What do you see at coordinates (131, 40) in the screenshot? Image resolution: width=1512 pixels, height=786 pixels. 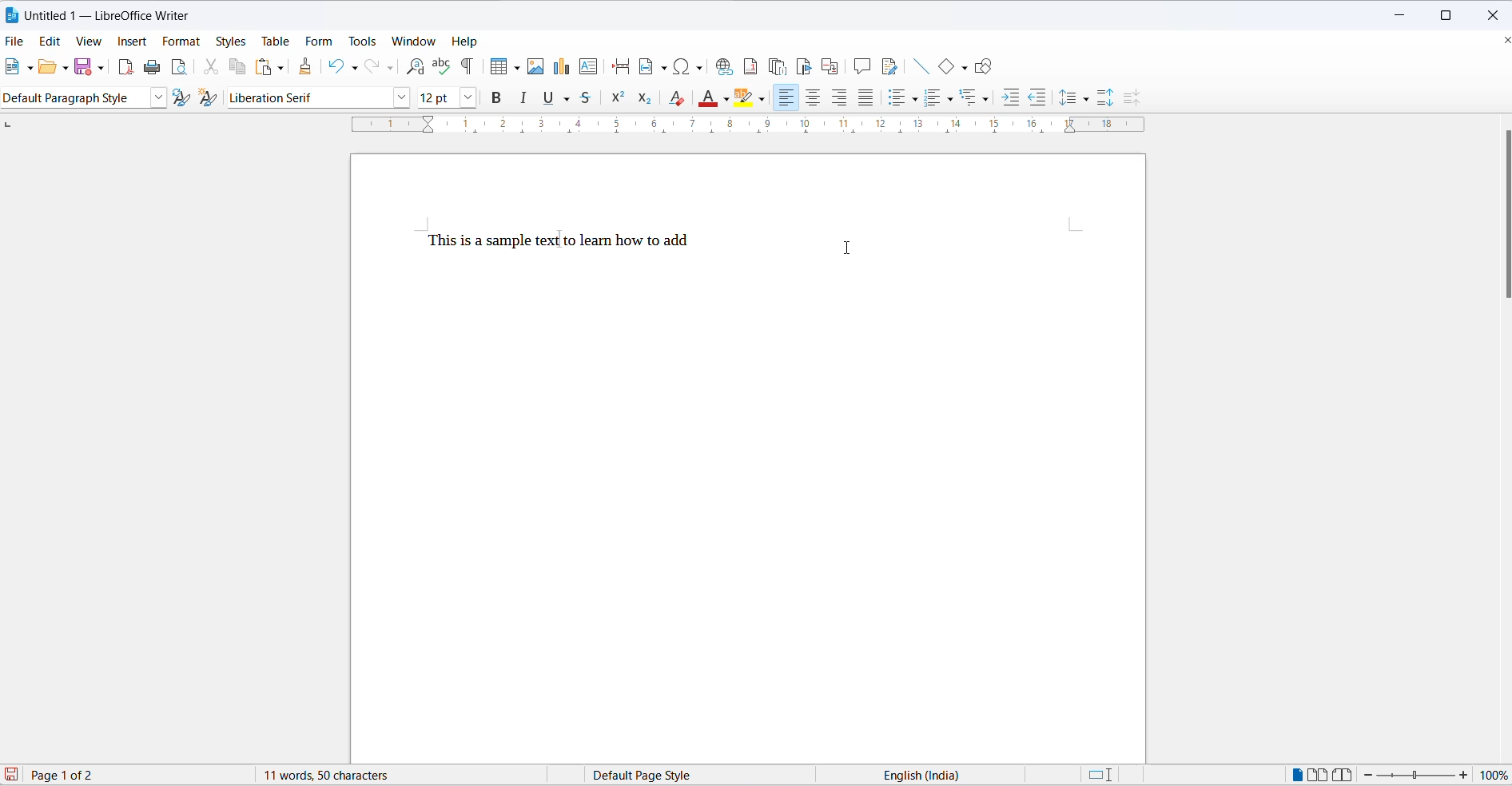 I see `insert` at bounding box center [131, 40].